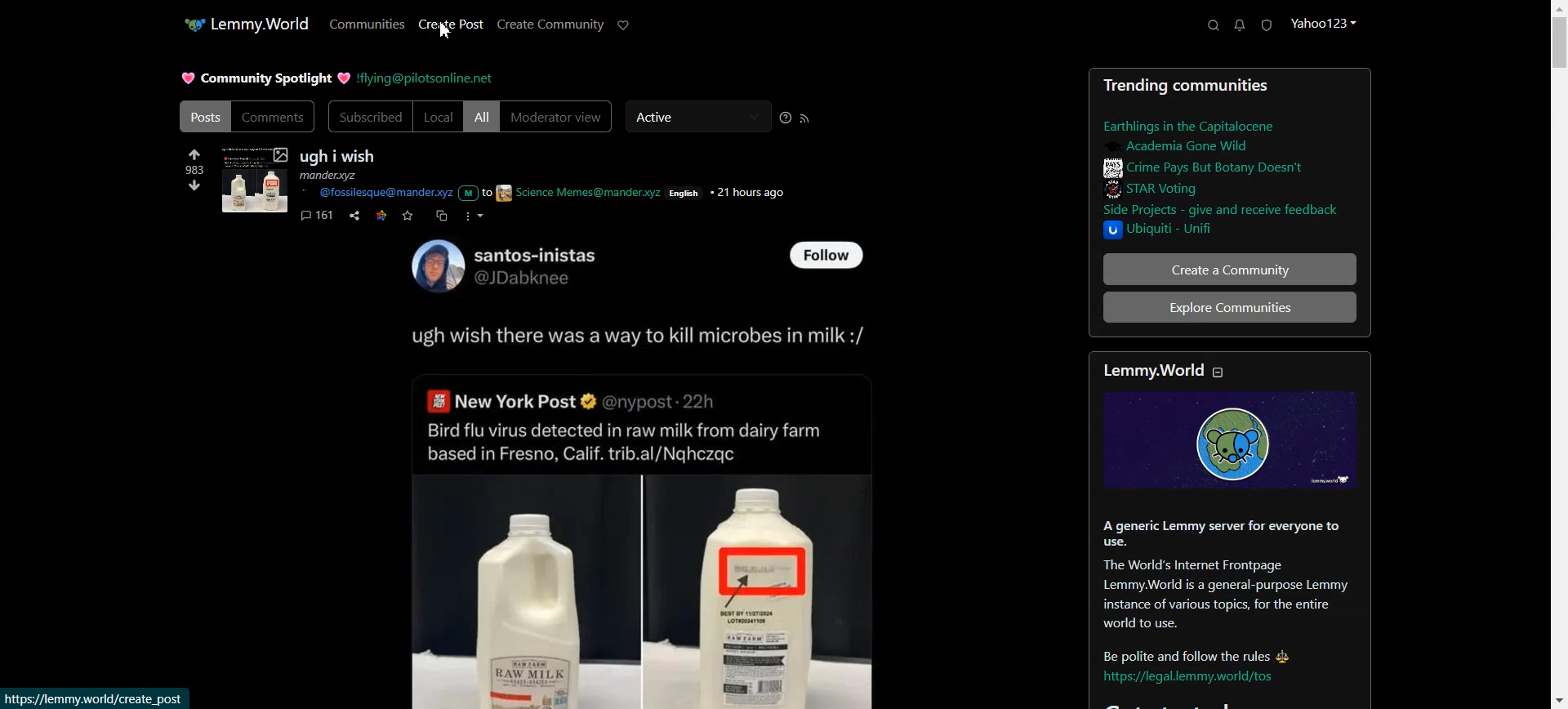 The height and width of the screenshot is (709, 1568). I want to click on Up vote, so click(194, 162).